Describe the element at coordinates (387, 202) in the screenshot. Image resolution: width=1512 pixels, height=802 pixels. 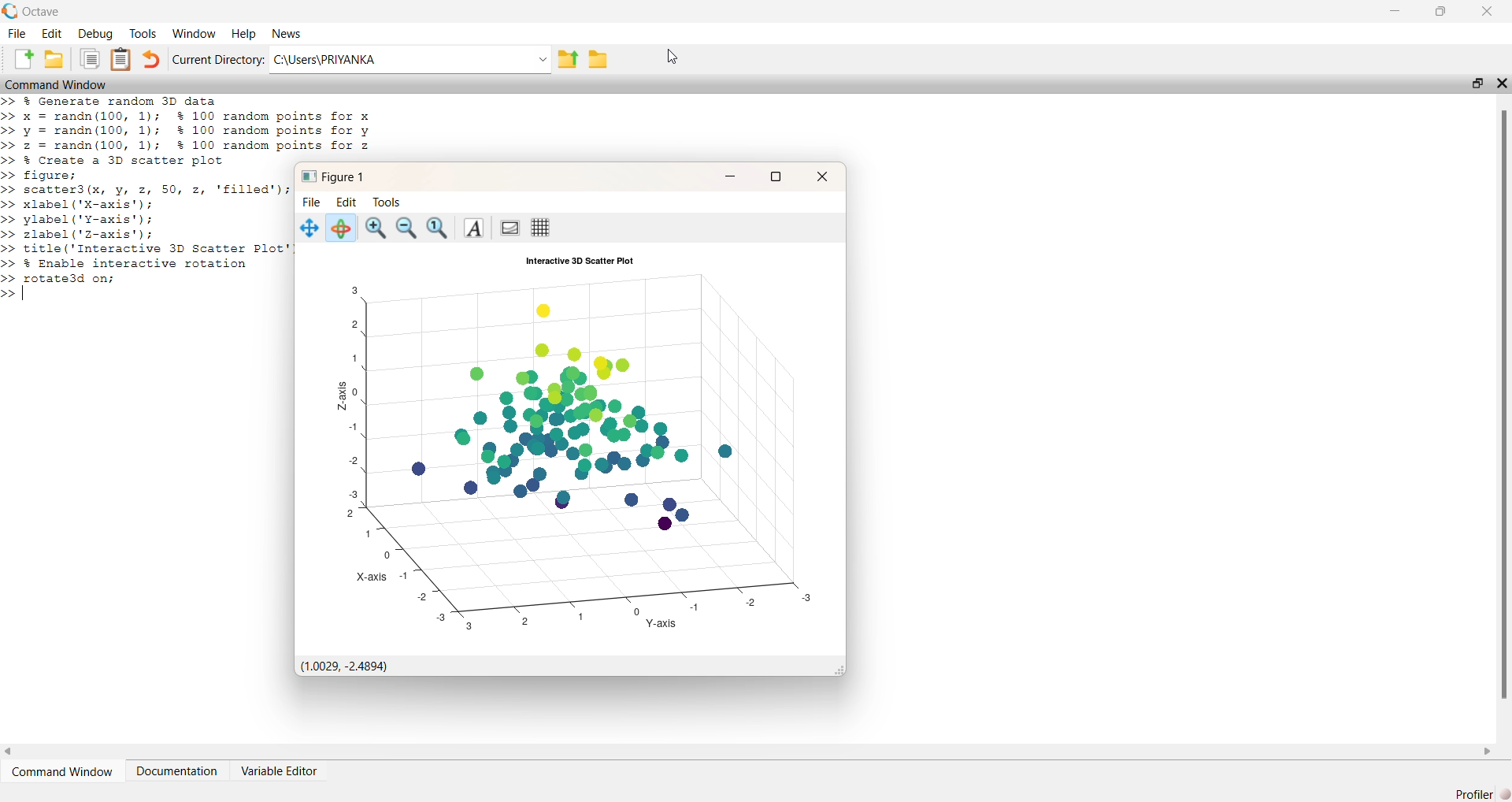
I see `Tools` at that location.